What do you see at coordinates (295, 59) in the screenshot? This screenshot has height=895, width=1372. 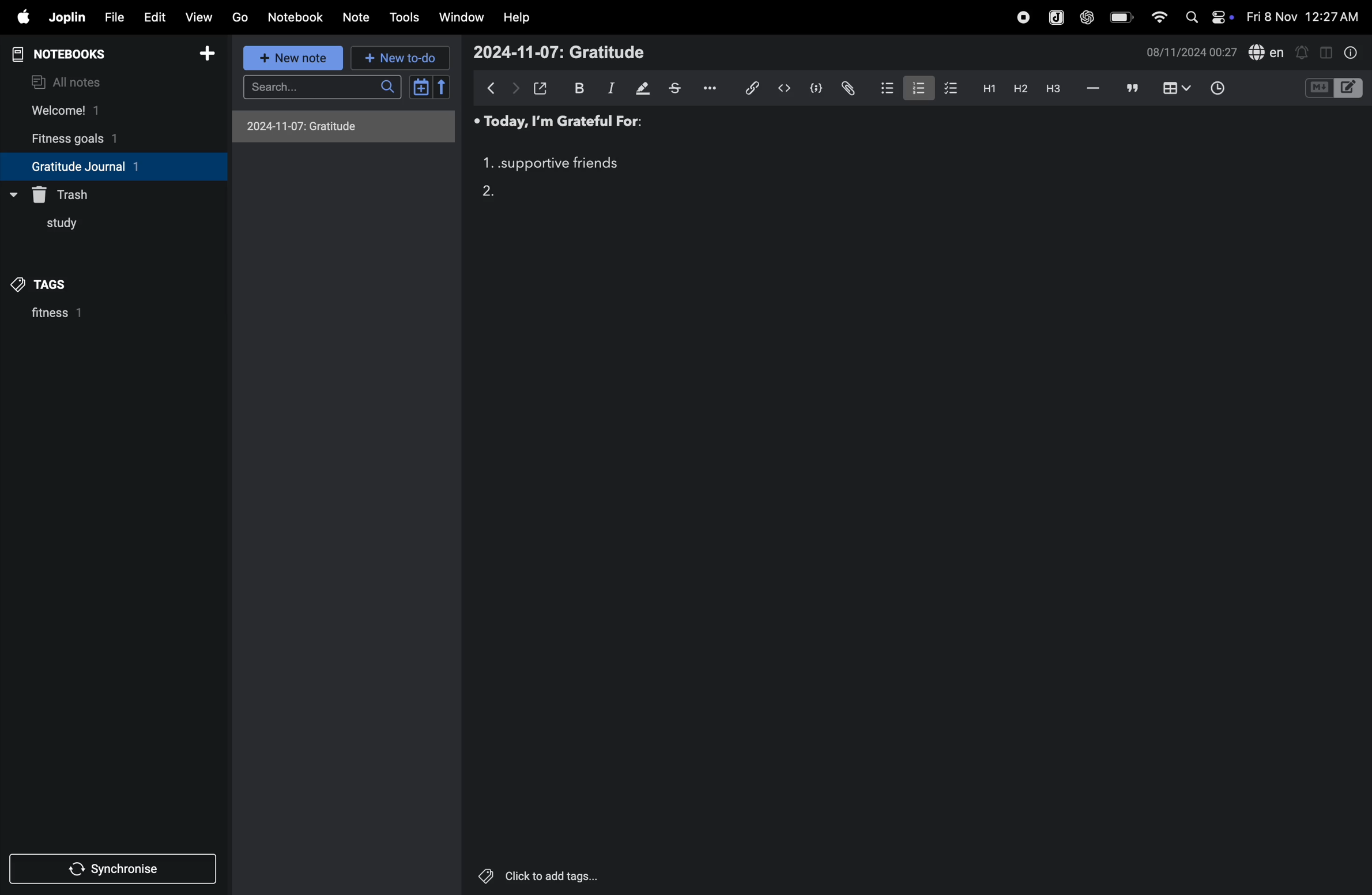 I see `new note` at bounding box center [295, 59].